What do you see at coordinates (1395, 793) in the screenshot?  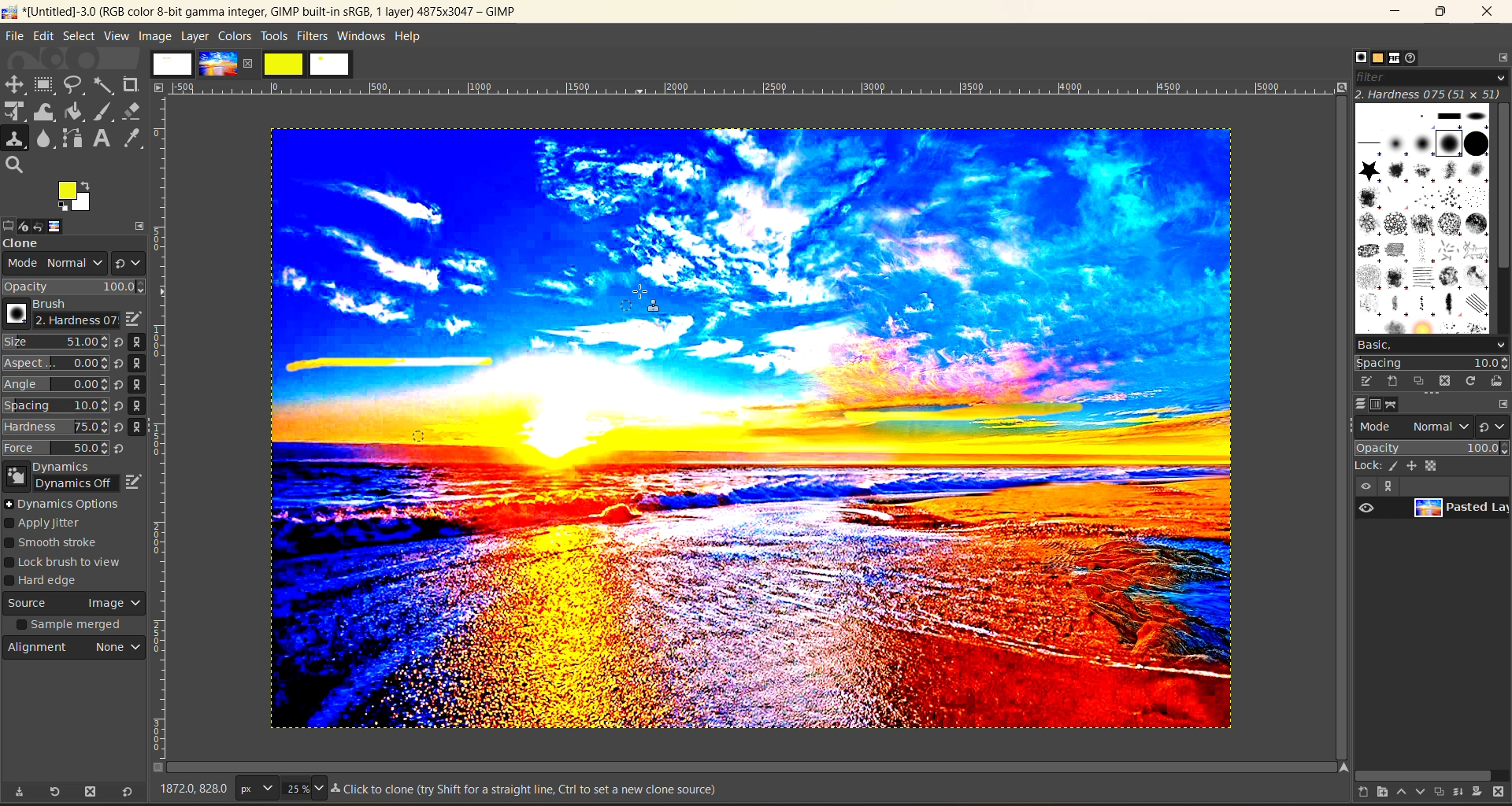 I see `raise this layer` at bounding box center [1395, 793].